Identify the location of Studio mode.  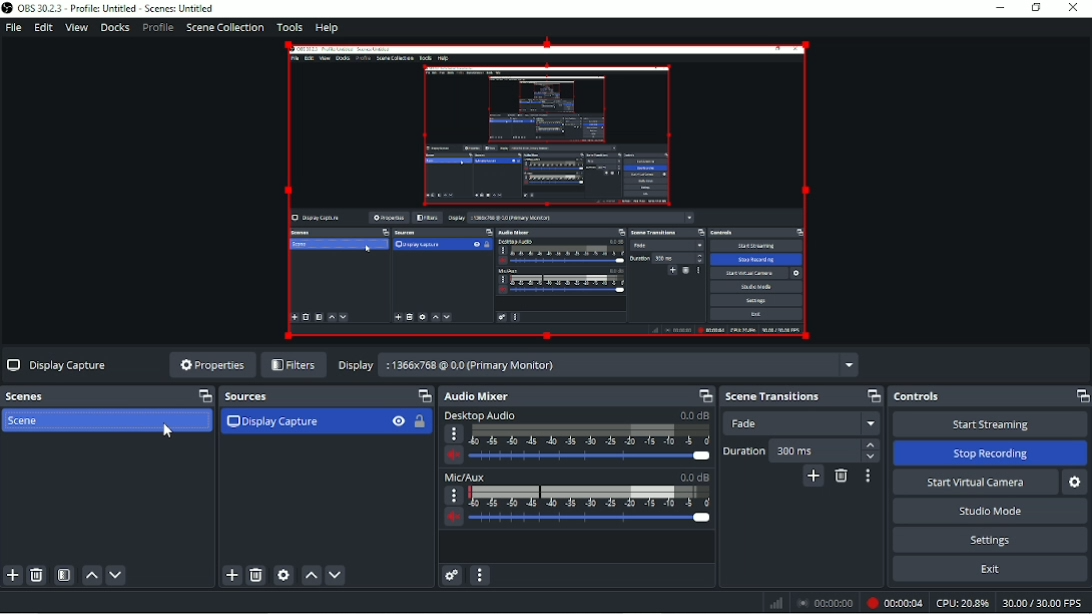
(990, 510).